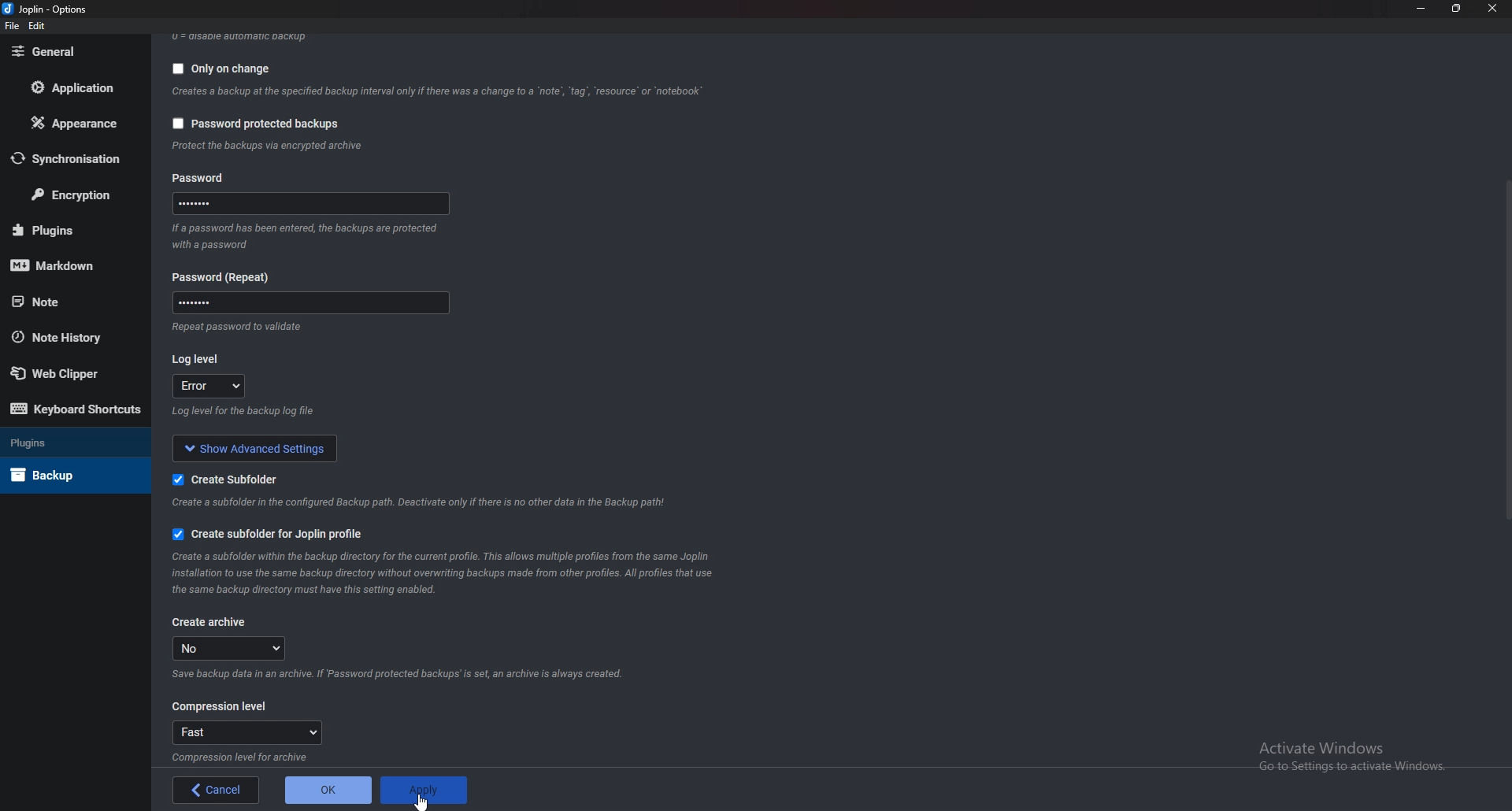  I want to click on note, so click(64, 302).